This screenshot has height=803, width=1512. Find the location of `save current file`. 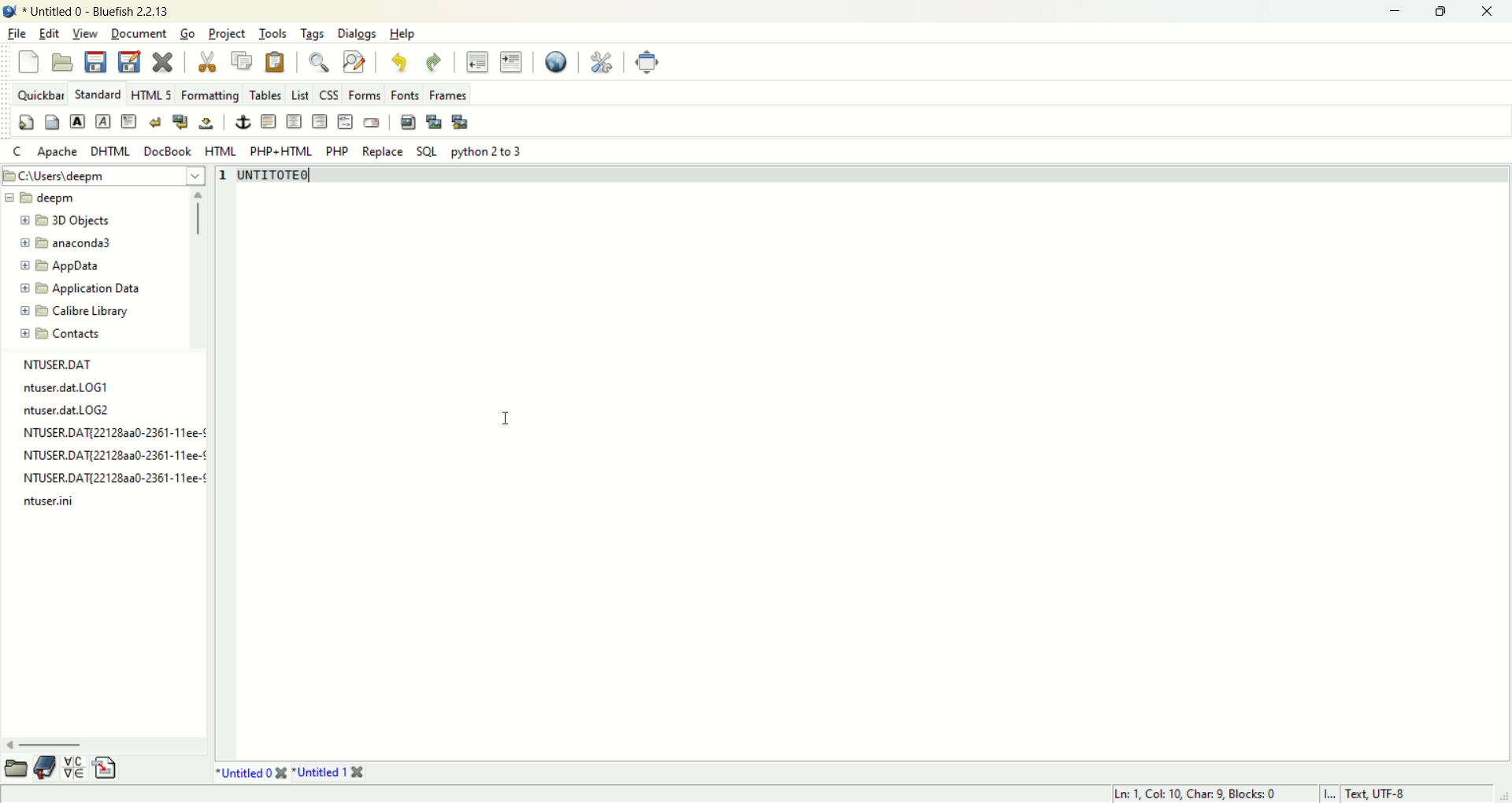

save current file is located at coordinates (95, 61).